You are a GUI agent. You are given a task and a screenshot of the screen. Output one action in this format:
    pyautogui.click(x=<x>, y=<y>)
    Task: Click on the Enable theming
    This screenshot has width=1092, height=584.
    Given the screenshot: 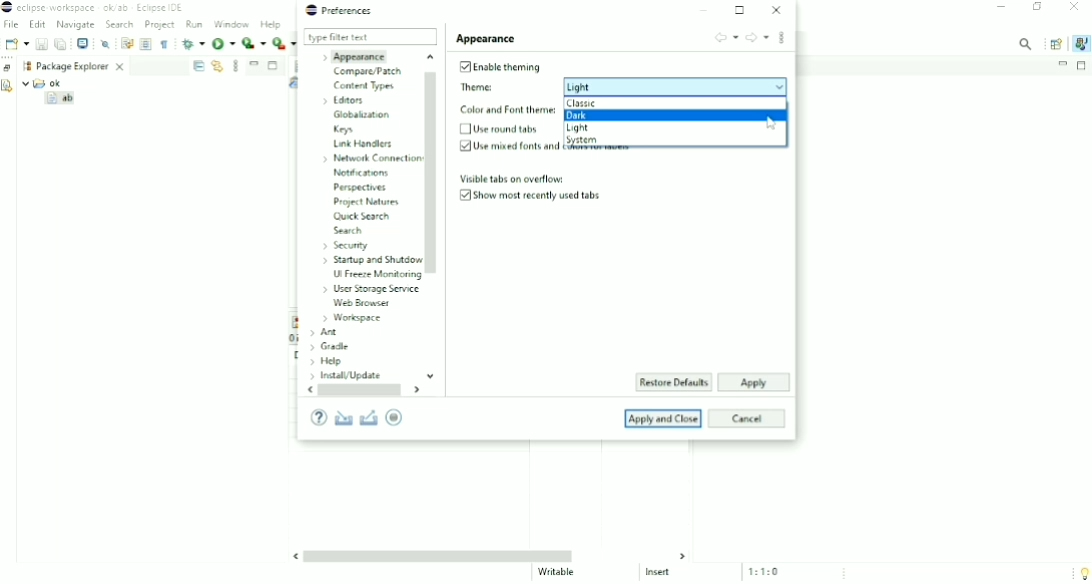 What is the action you would take?
    pyautogui.click(x=498, y=66)
    